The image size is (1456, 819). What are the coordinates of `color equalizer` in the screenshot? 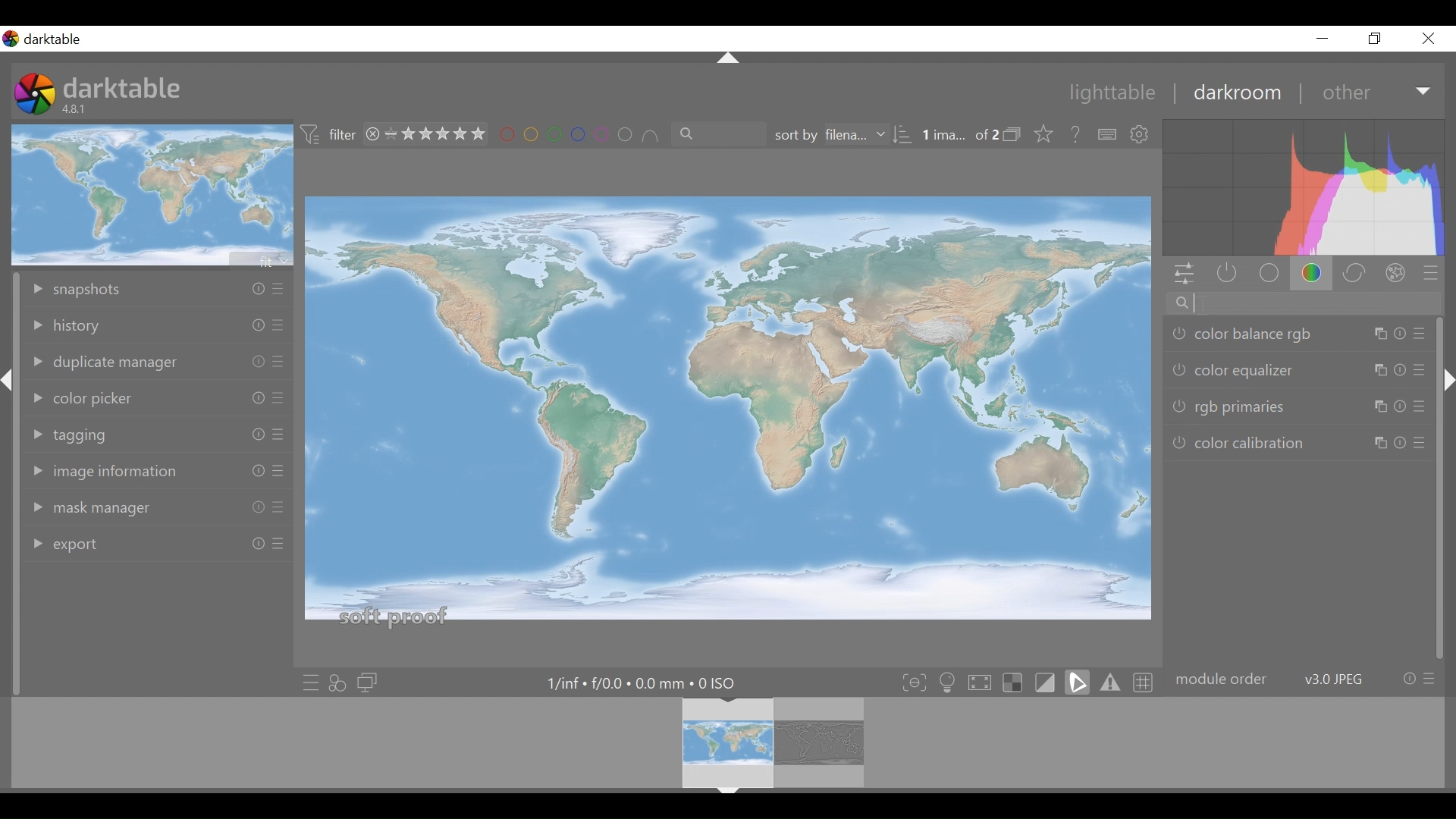 It's located at (1298, 369).